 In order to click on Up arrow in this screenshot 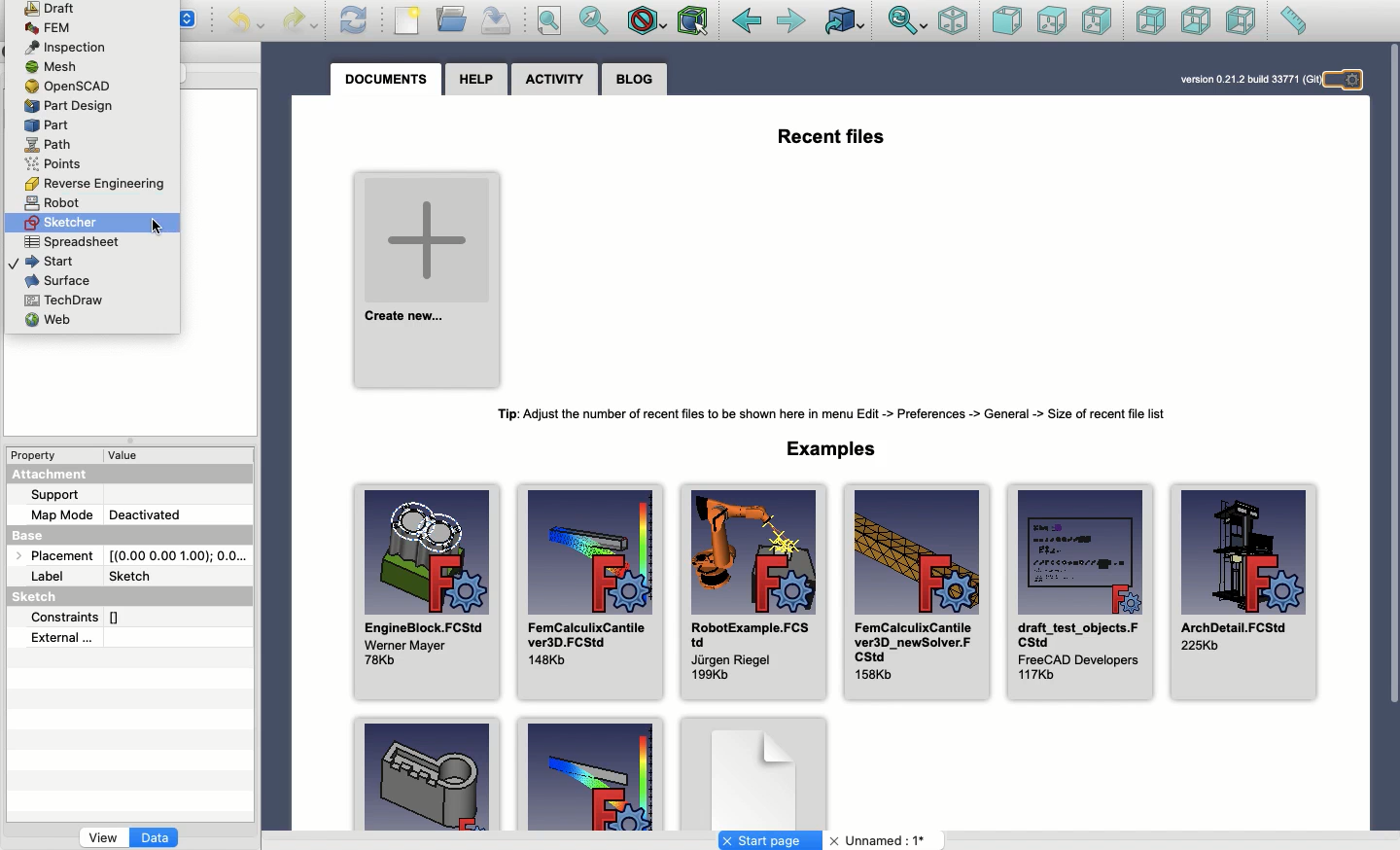, I will do `click(191, 15)`.